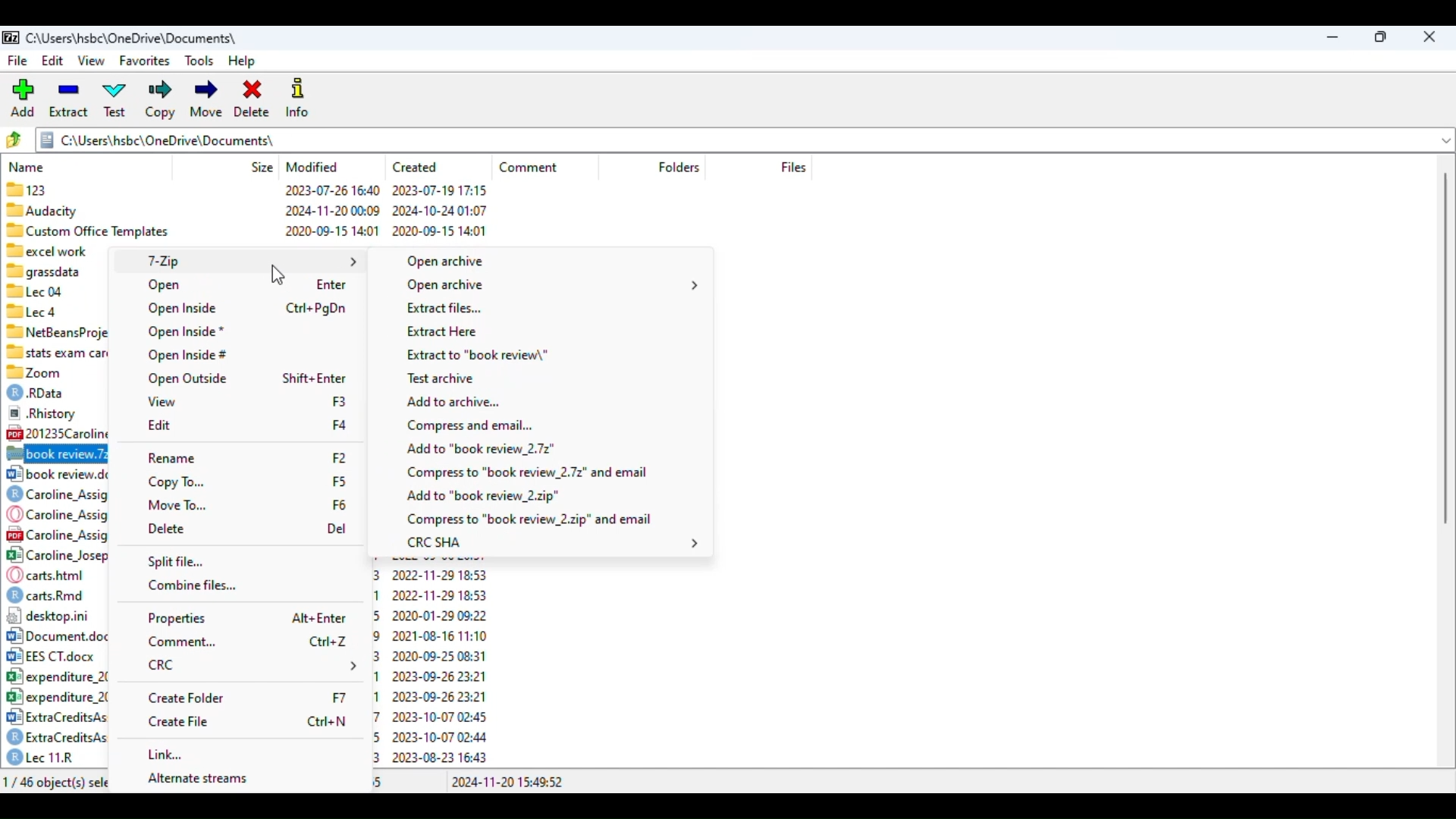 The height and width of the screenshot is (819, 1456). I want to click on ®llecd 2023-07-26 16:43 2023-07-26 16:41, so click(57, 311).